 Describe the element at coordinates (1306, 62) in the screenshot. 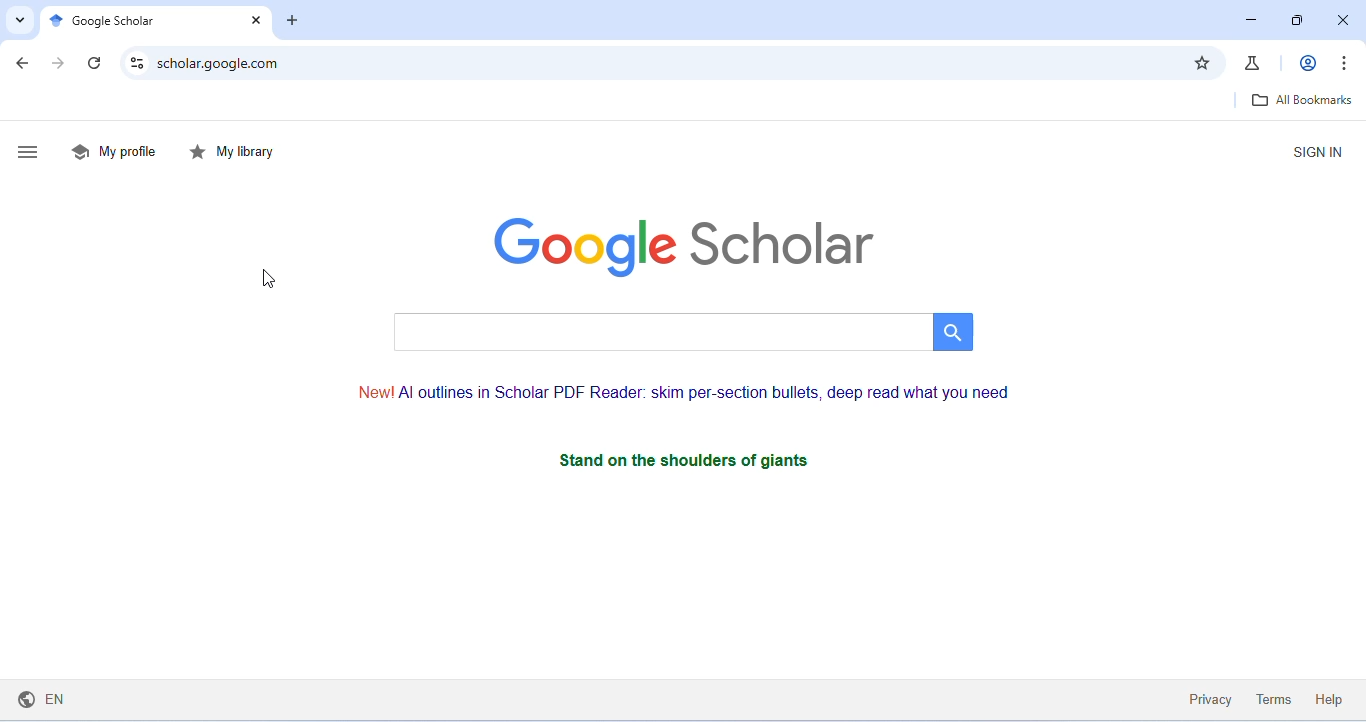

I see `account` at that location.